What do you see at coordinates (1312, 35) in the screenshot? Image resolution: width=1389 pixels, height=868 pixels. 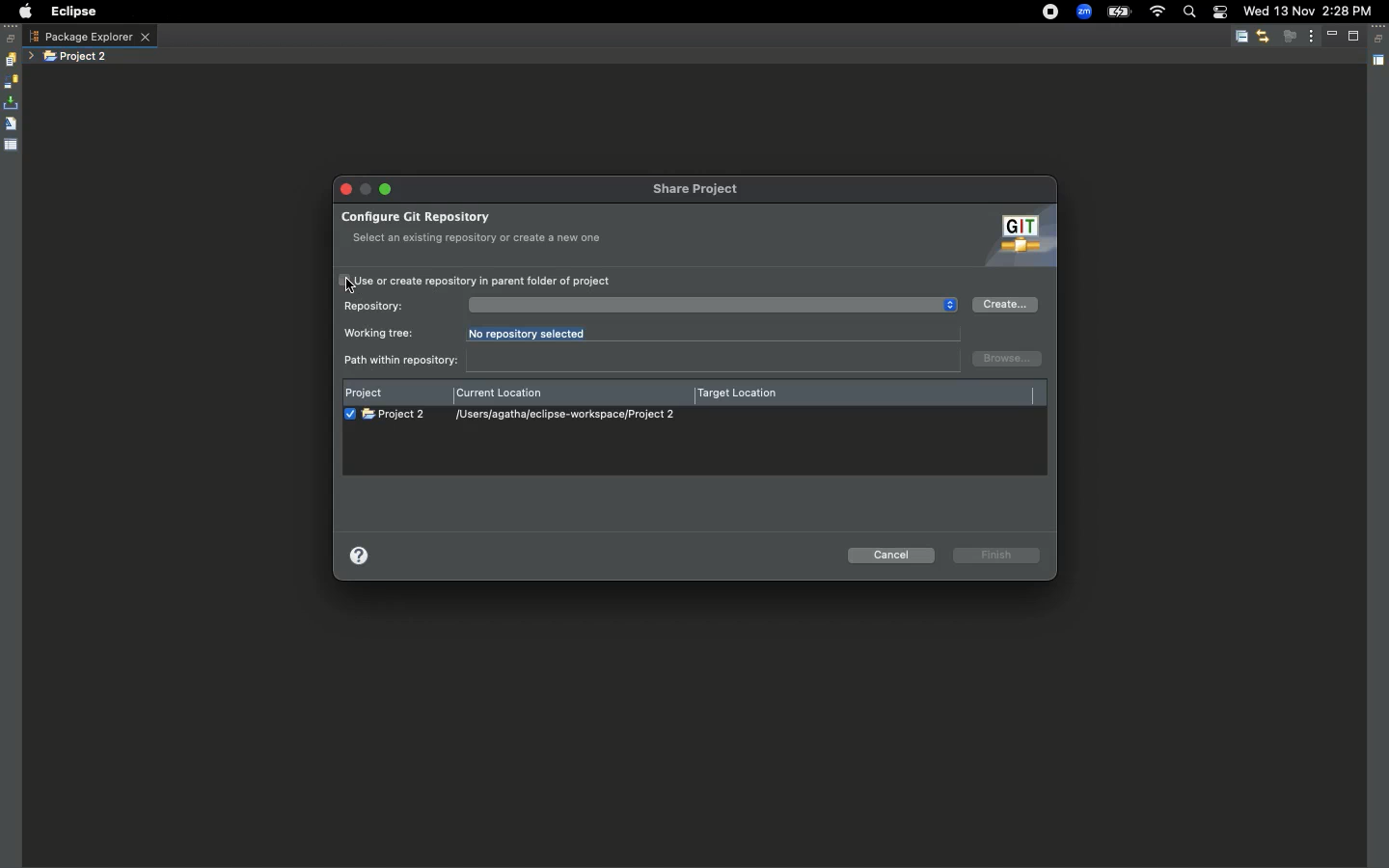 I see `View menu` at bounding box center [1312, 35].